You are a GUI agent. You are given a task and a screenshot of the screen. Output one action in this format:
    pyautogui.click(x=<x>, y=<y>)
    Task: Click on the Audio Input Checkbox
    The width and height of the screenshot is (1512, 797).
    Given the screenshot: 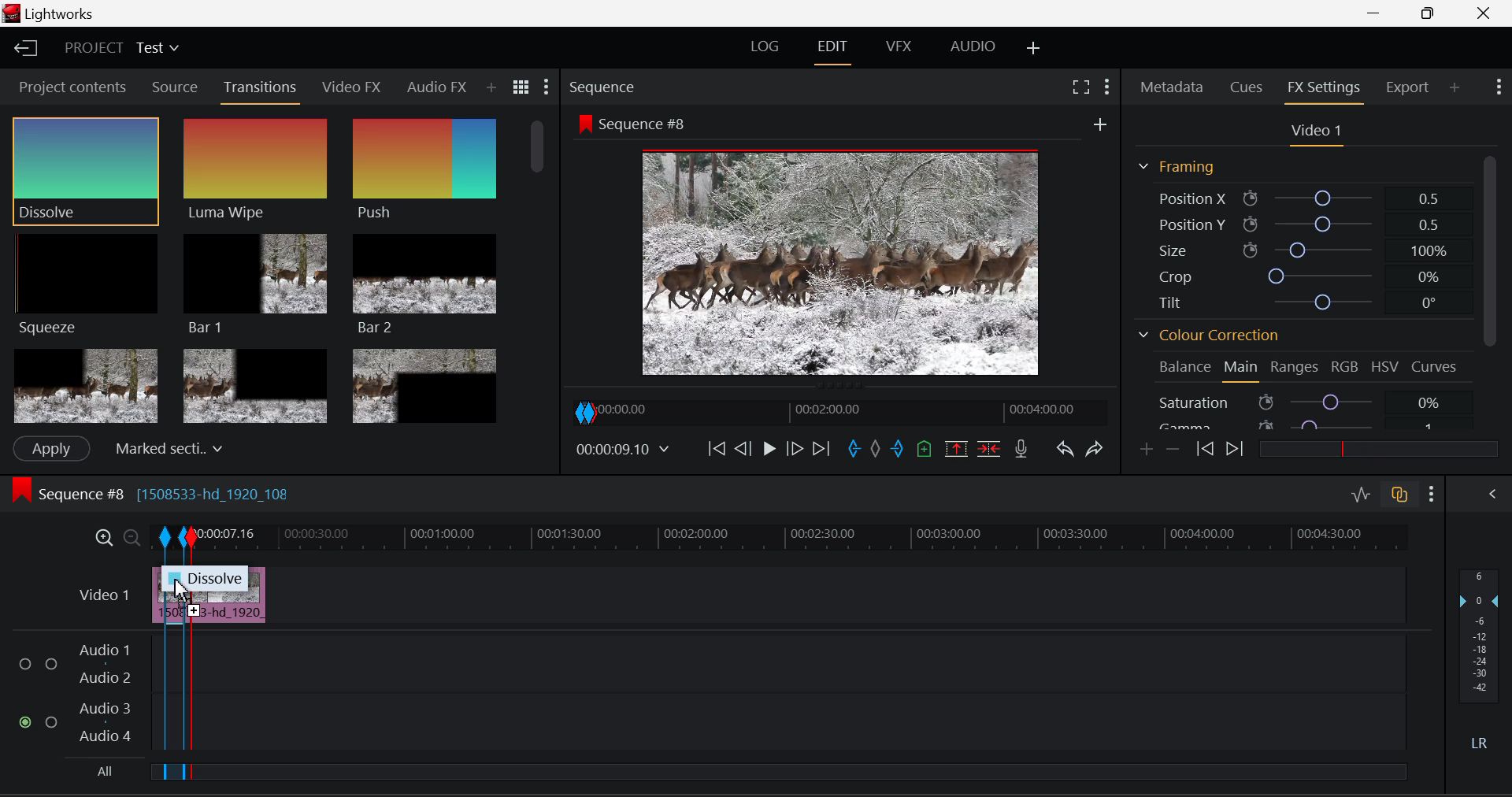 What is the action you would take?
    pyautogui.click(x=27, y=723)
    